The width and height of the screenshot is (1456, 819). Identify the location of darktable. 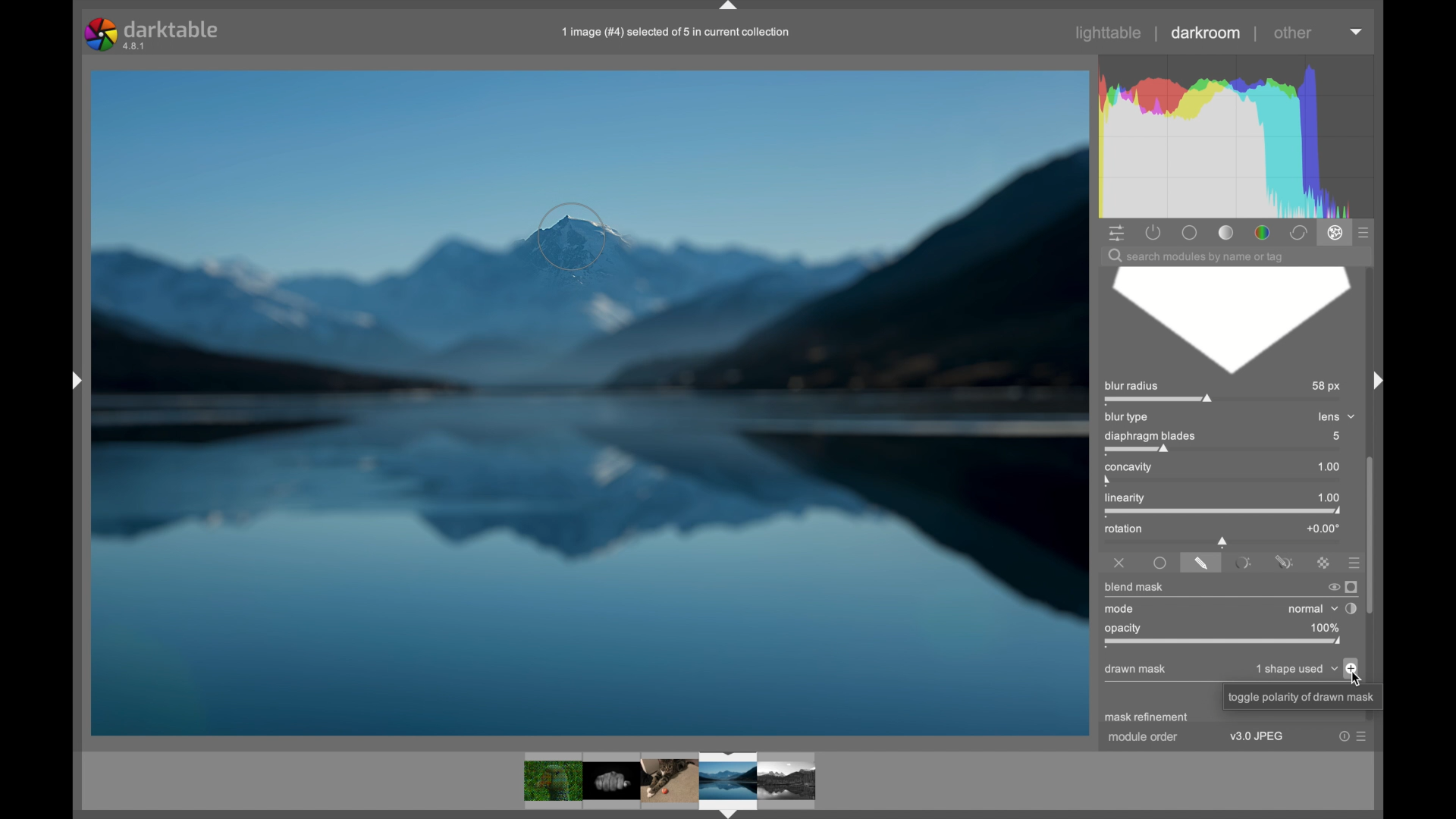
(151, 33).